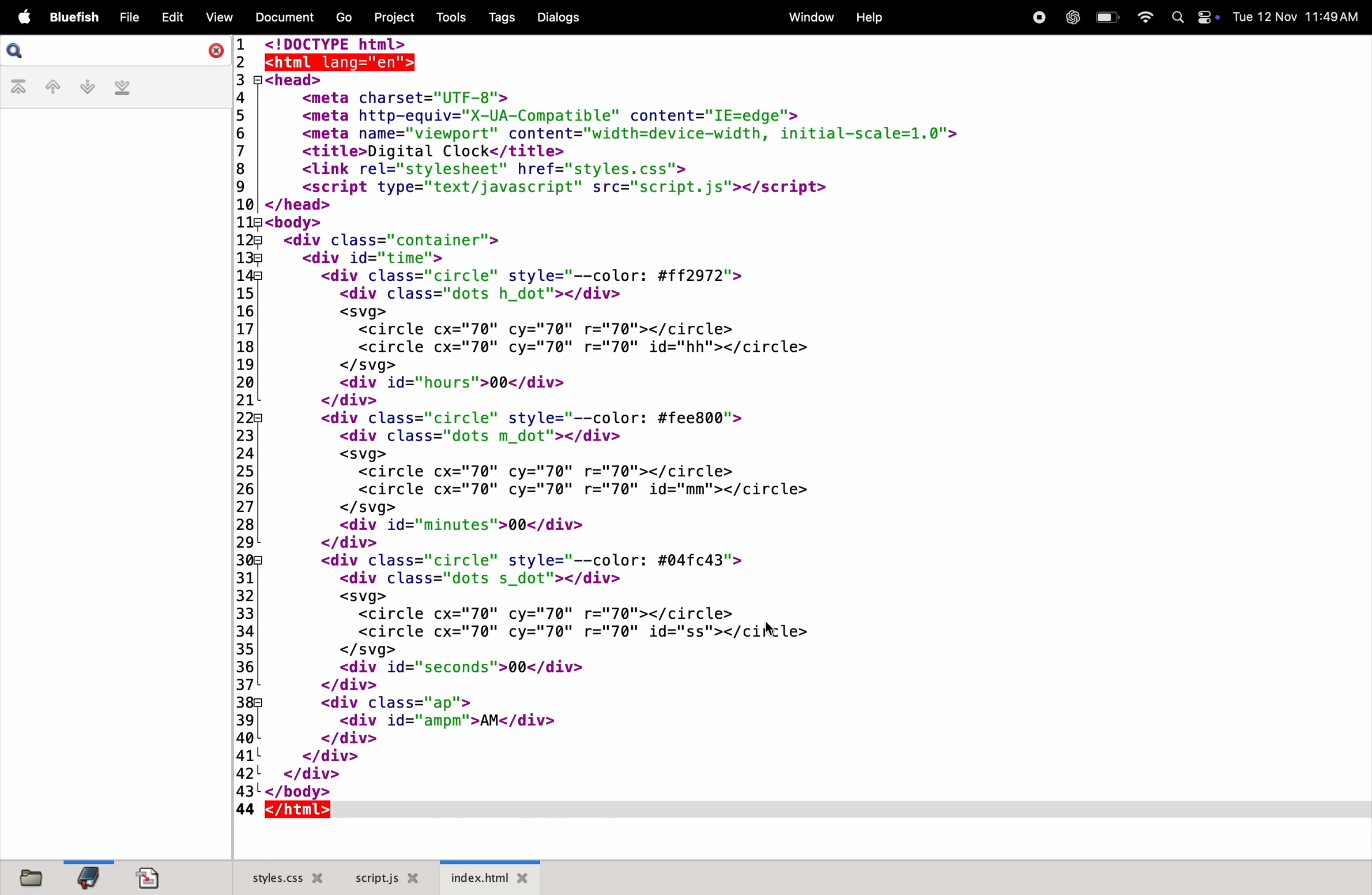 This screenshot has height=895, width=1372. What do you see at coordinates (869, 19) in the screenshot?
I see `help` at bounding box center [869, 19].